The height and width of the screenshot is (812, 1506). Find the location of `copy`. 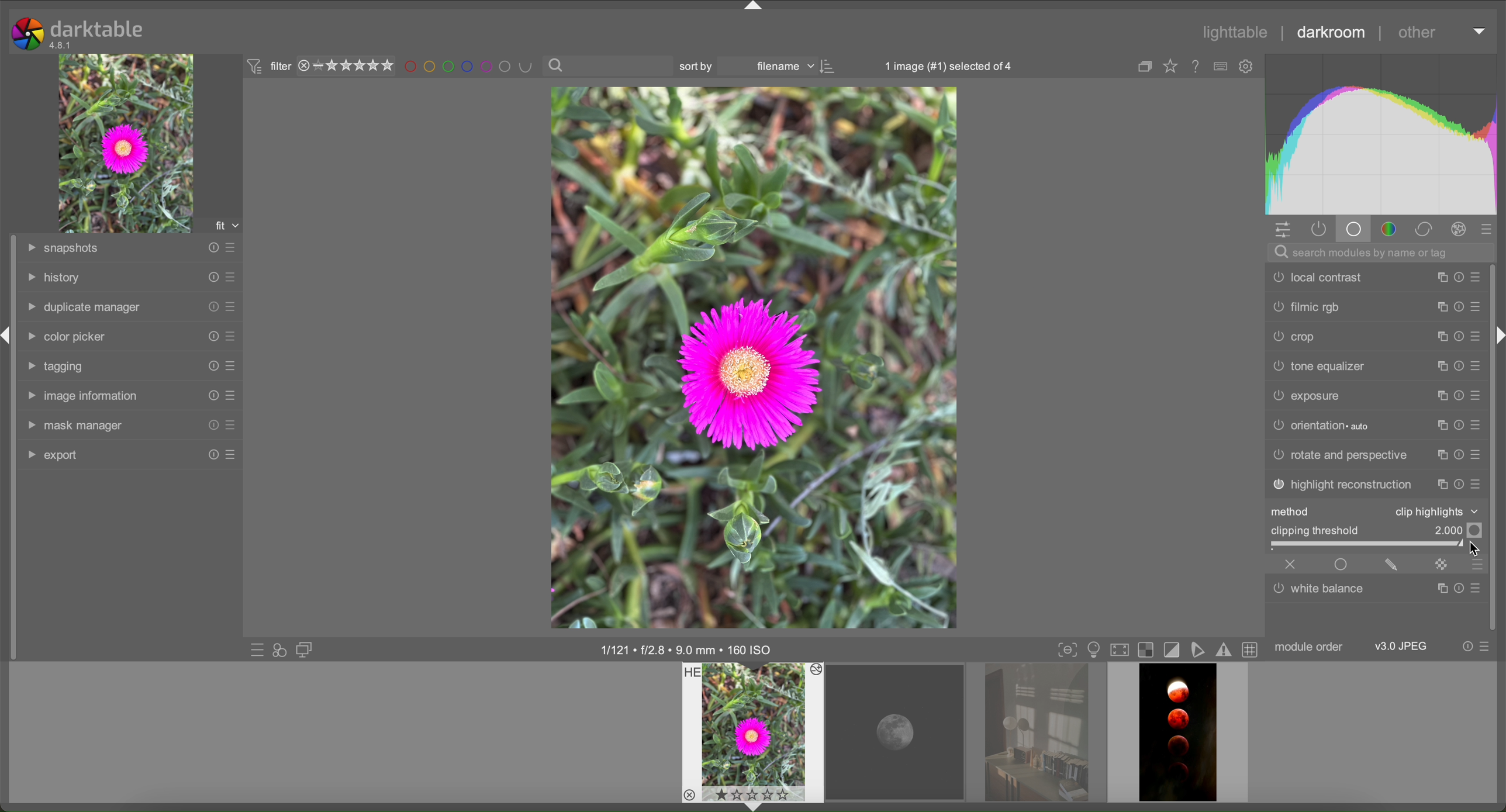

copy is located at coordinates (1441, 396).